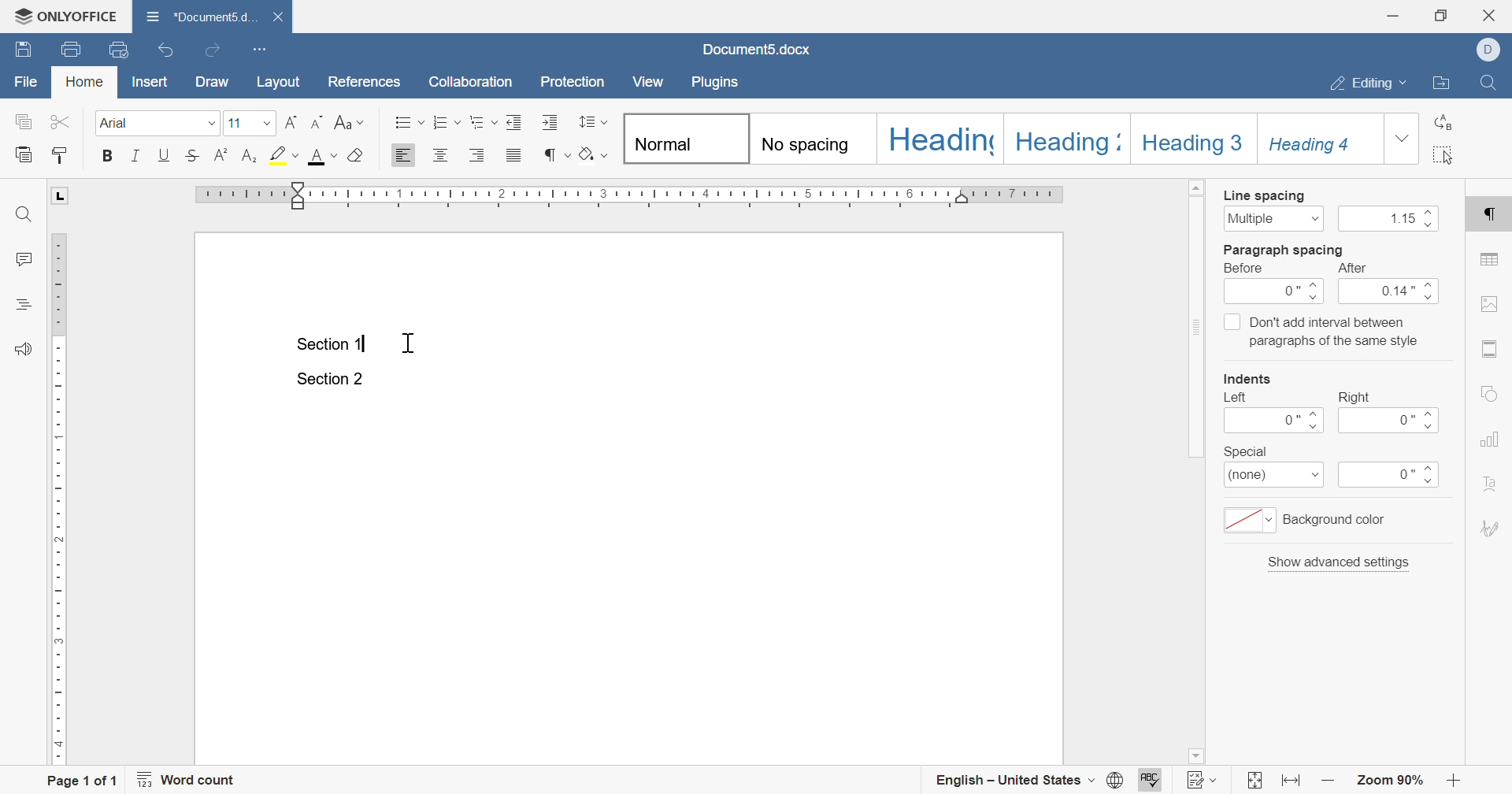  Describe the element at coordinates (1245, 451) in the screenshot. I see `special` at that location.